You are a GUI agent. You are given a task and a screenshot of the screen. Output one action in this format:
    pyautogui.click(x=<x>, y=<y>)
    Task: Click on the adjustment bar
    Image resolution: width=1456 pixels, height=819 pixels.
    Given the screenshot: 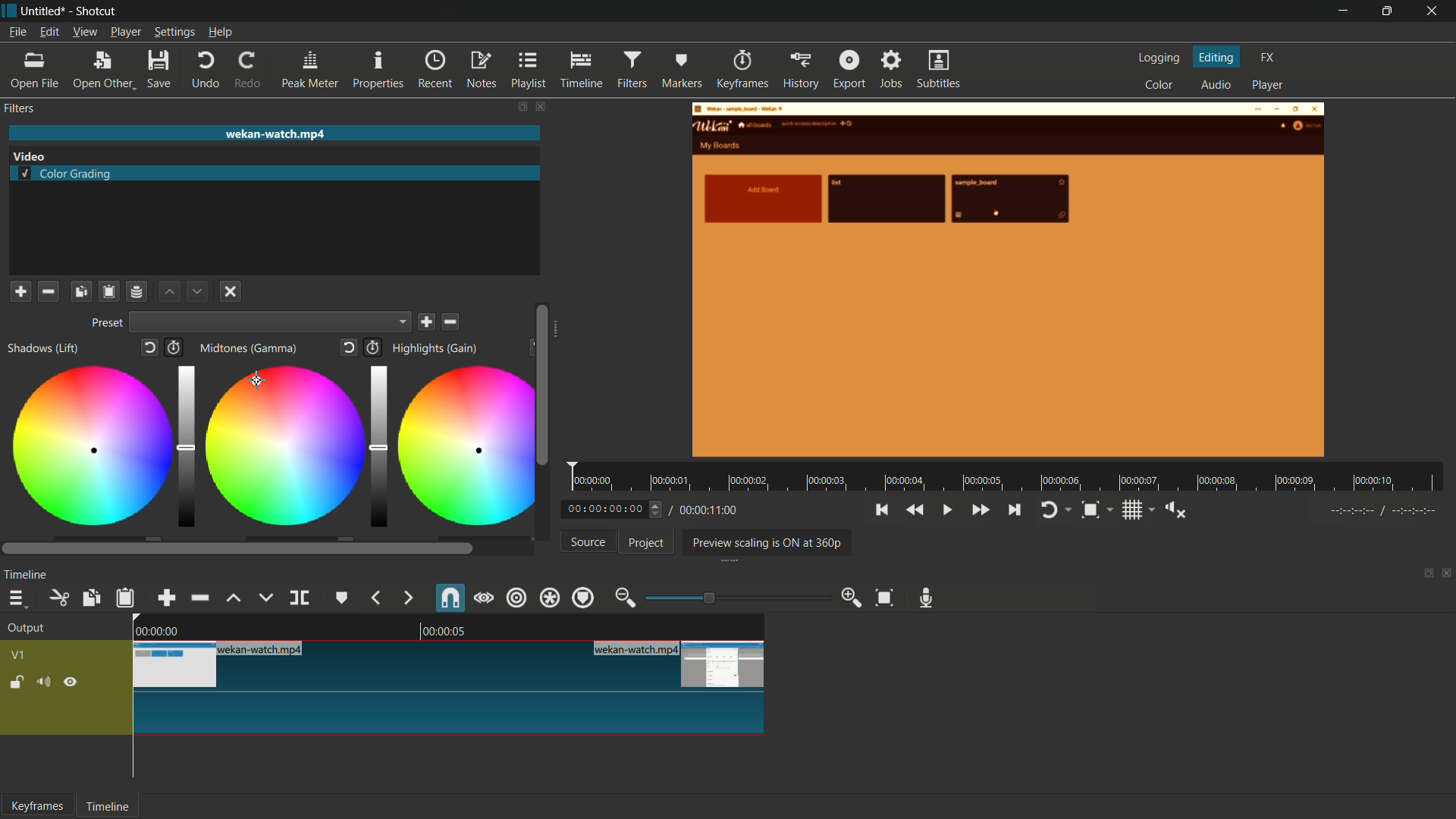 What is the action you would take?
    pyautogui.click(x=376, y=446)
    